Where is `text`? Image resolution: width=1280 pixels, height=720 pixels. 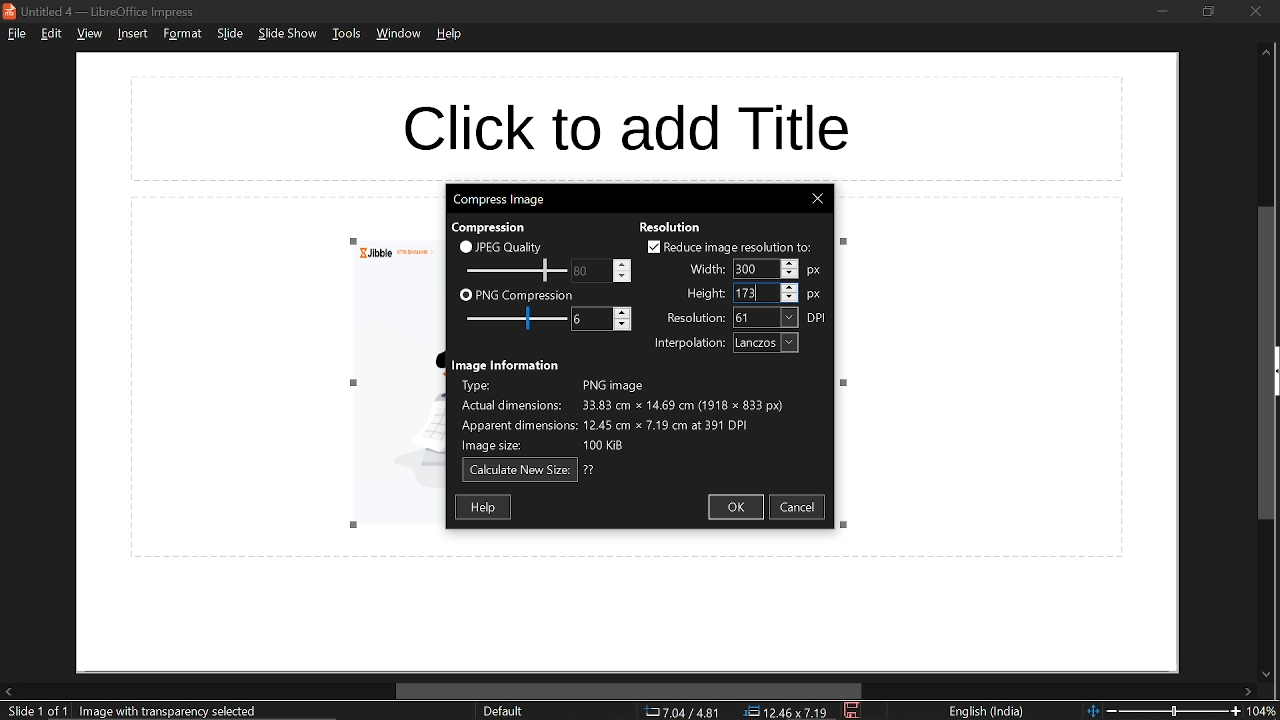
text is located at coordinates (671, 225).